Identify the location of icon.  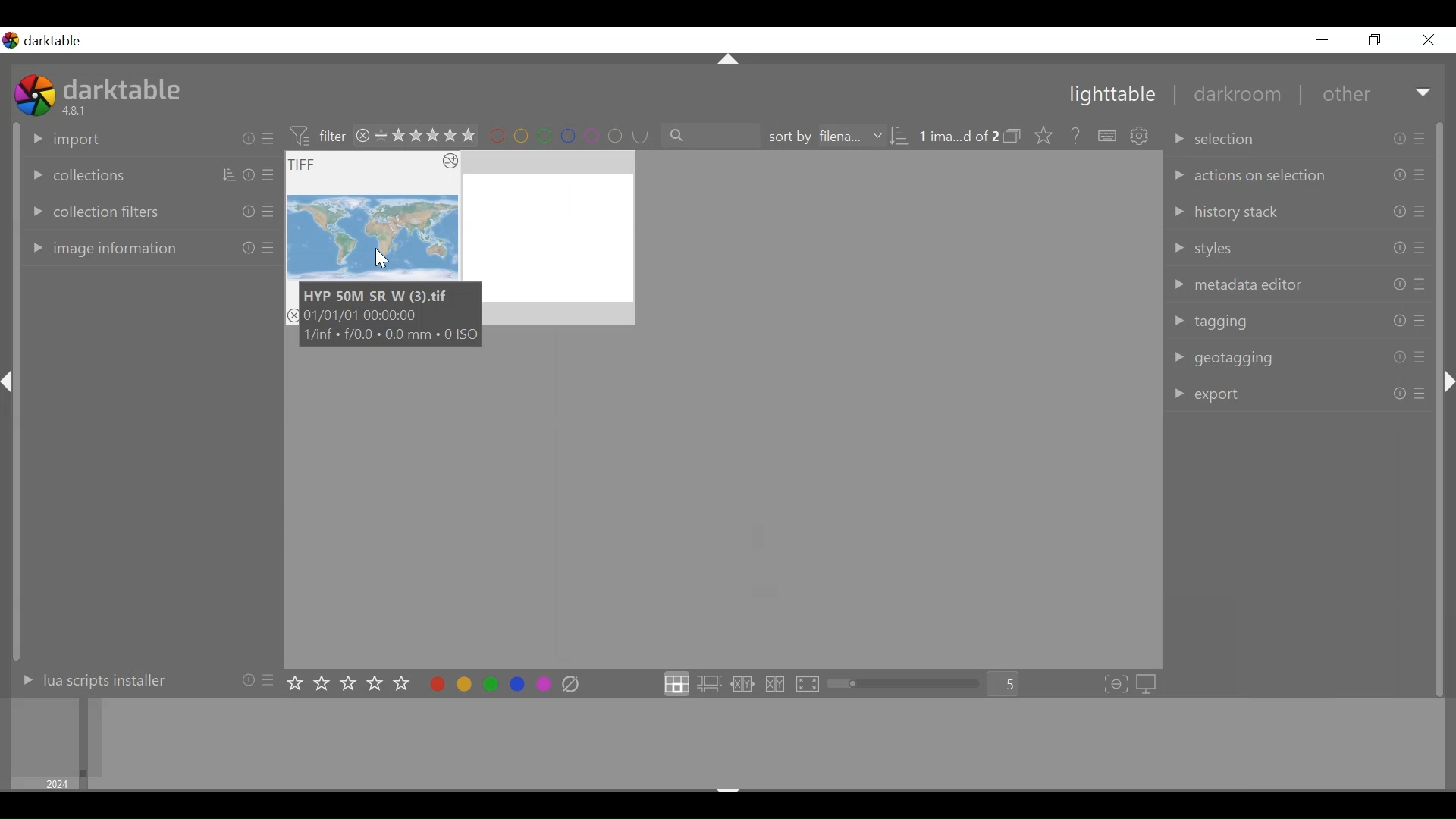
(450, 164).